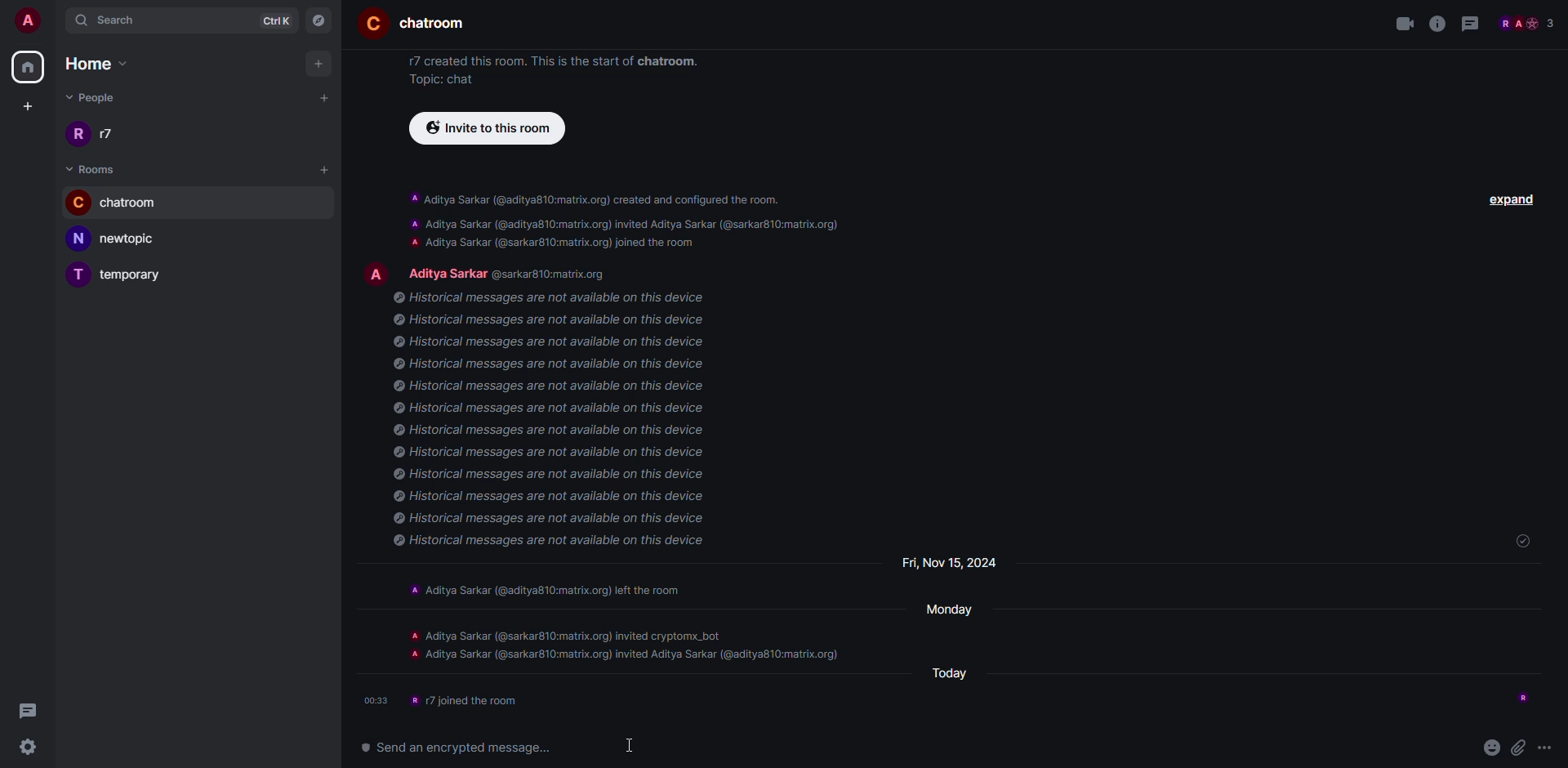  Describe the element at coordinates (485, 128) in the screenshot. I see `invite` at that location.